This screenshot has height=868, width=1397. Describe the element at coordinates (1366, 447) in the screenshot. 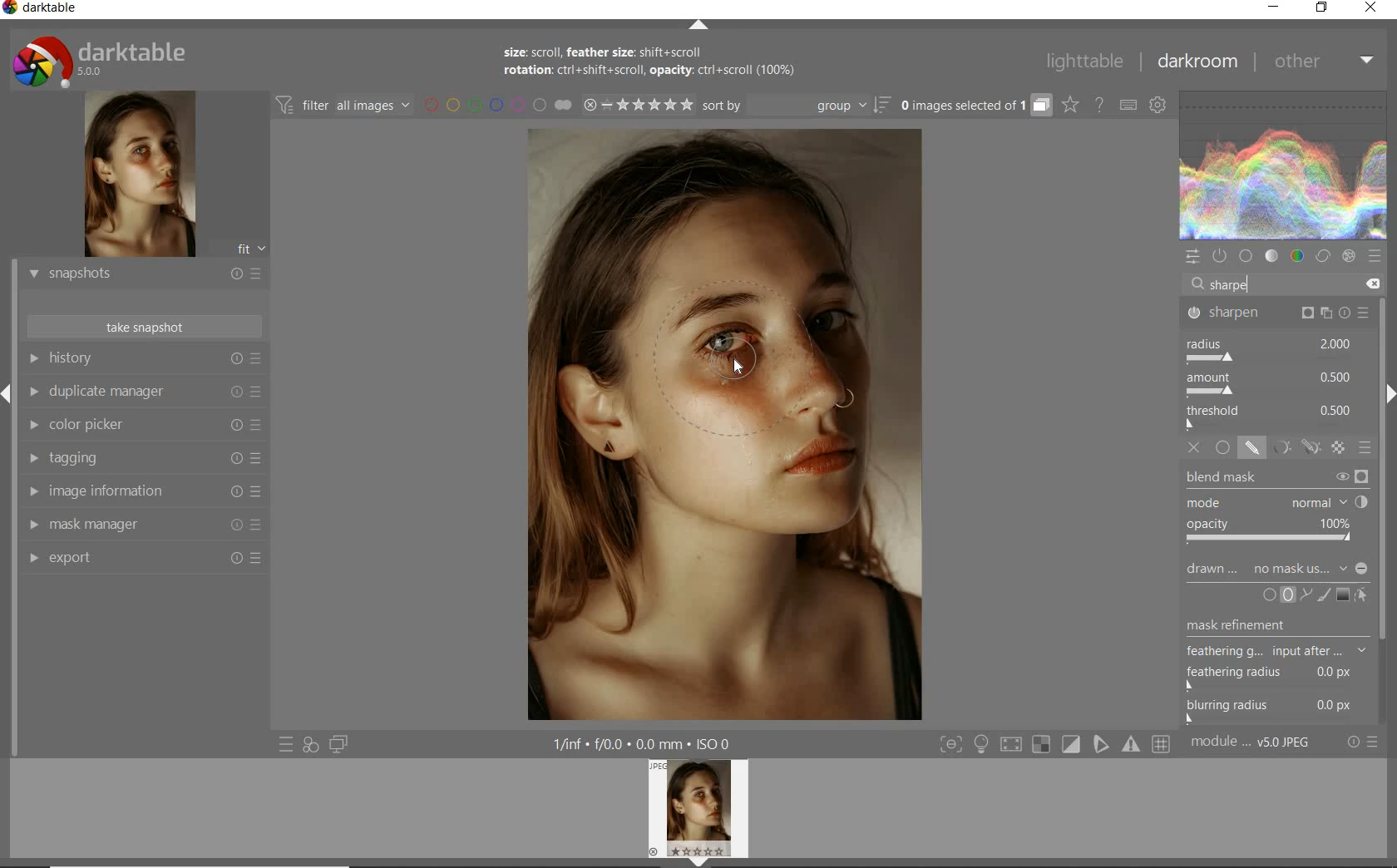

I see `BLENDING OPTIONS` at that location.